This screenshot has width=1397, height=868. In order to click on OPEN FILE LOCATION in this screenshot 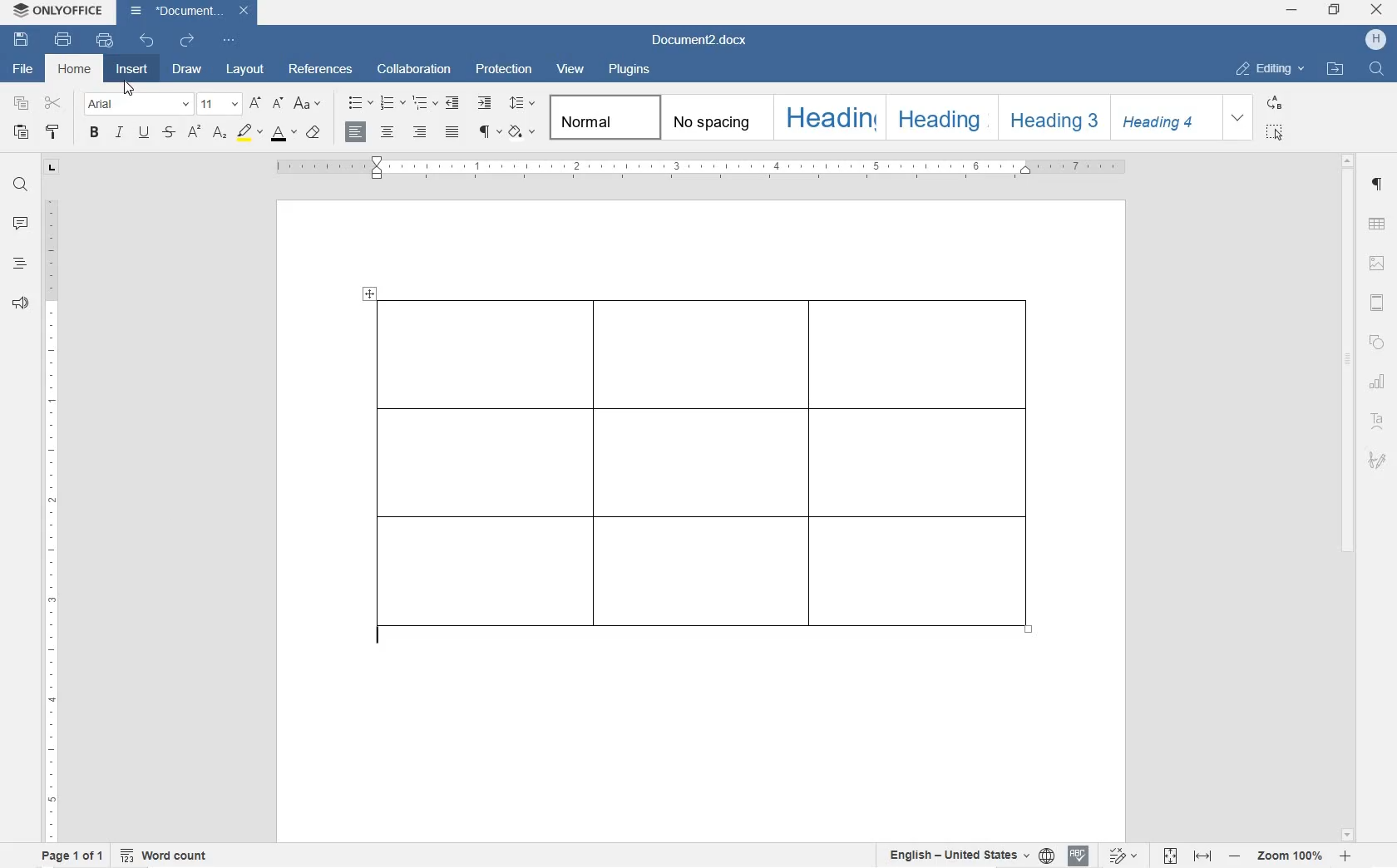, I will do `click(1337, 70)`.